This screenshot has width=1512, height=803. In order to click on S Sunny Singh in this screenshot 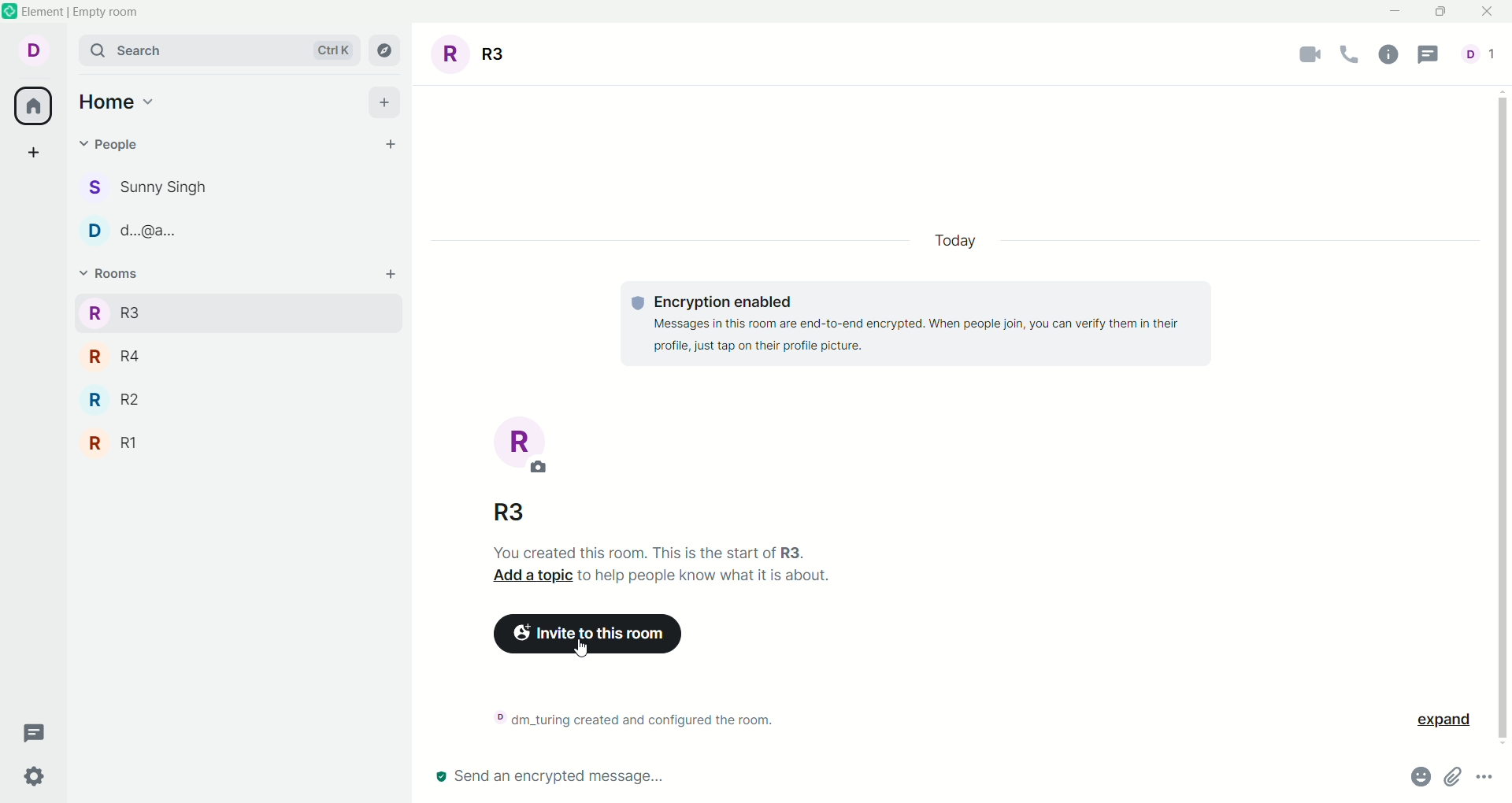, I will do `click(150, 191)`.